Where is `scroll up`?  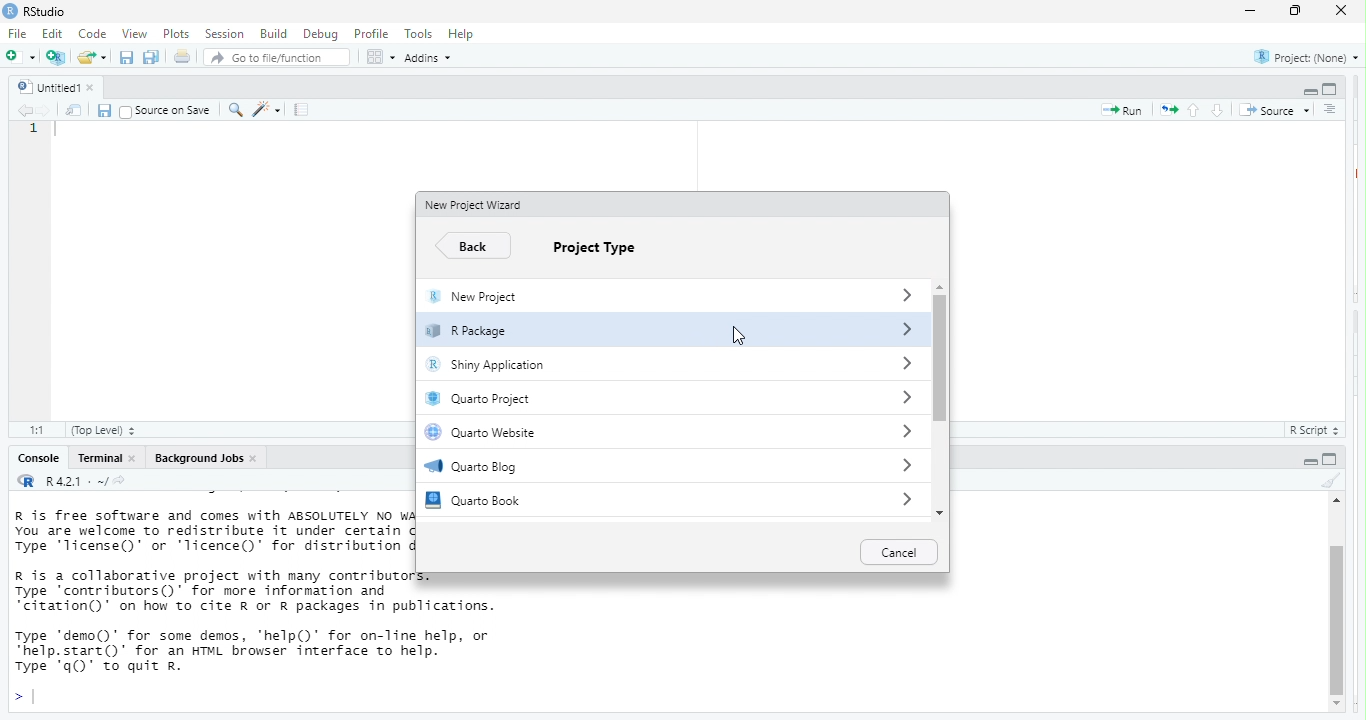 scroll up is located at coordinates (939, 284).